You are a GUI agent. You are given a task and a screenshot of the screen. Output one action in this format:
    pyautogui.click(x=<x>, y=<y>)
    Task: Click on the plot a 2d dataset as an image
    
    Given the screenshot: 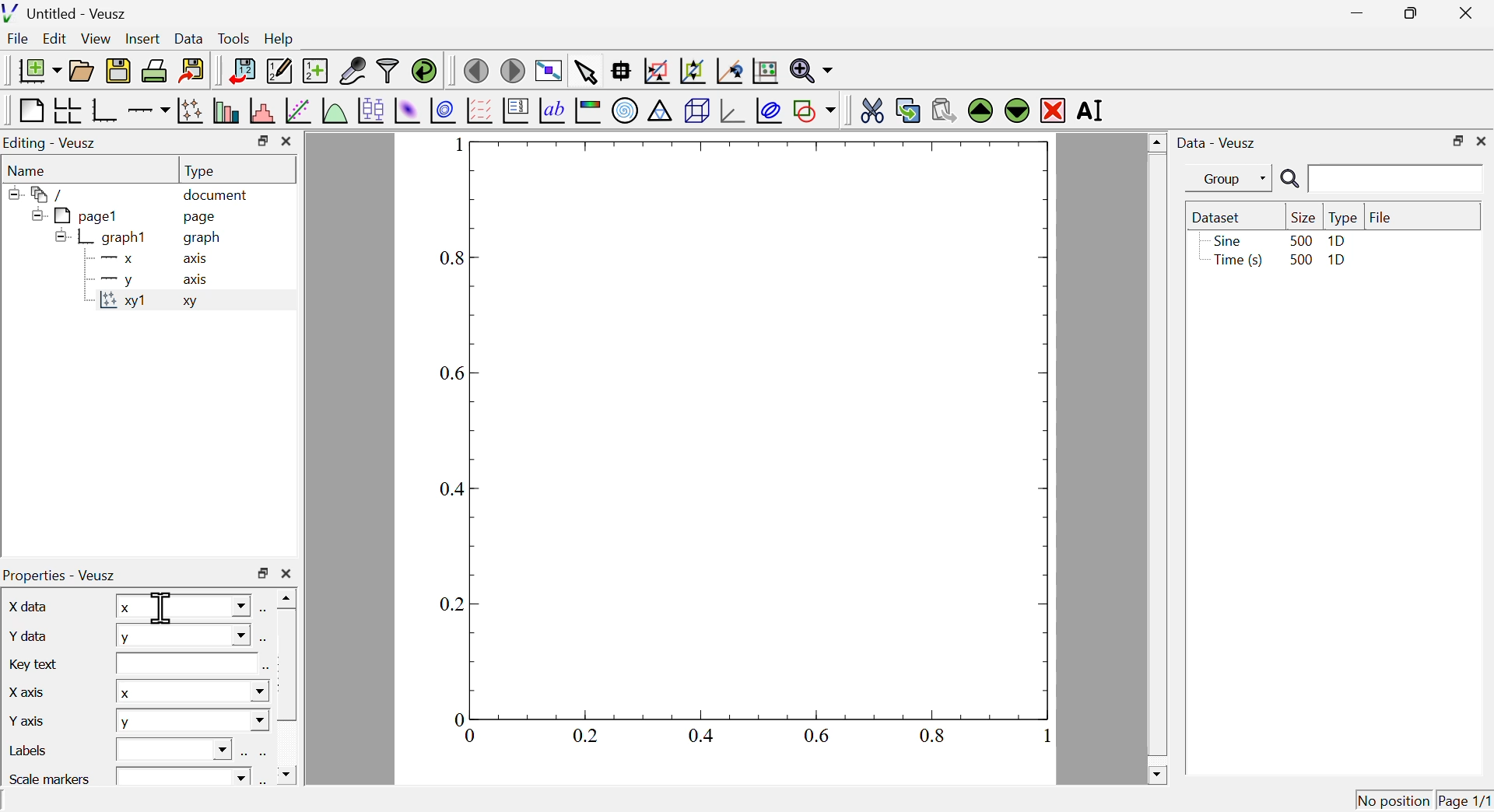 What is the action you would take?
    pyautogui.click(x=408, y=110)
    